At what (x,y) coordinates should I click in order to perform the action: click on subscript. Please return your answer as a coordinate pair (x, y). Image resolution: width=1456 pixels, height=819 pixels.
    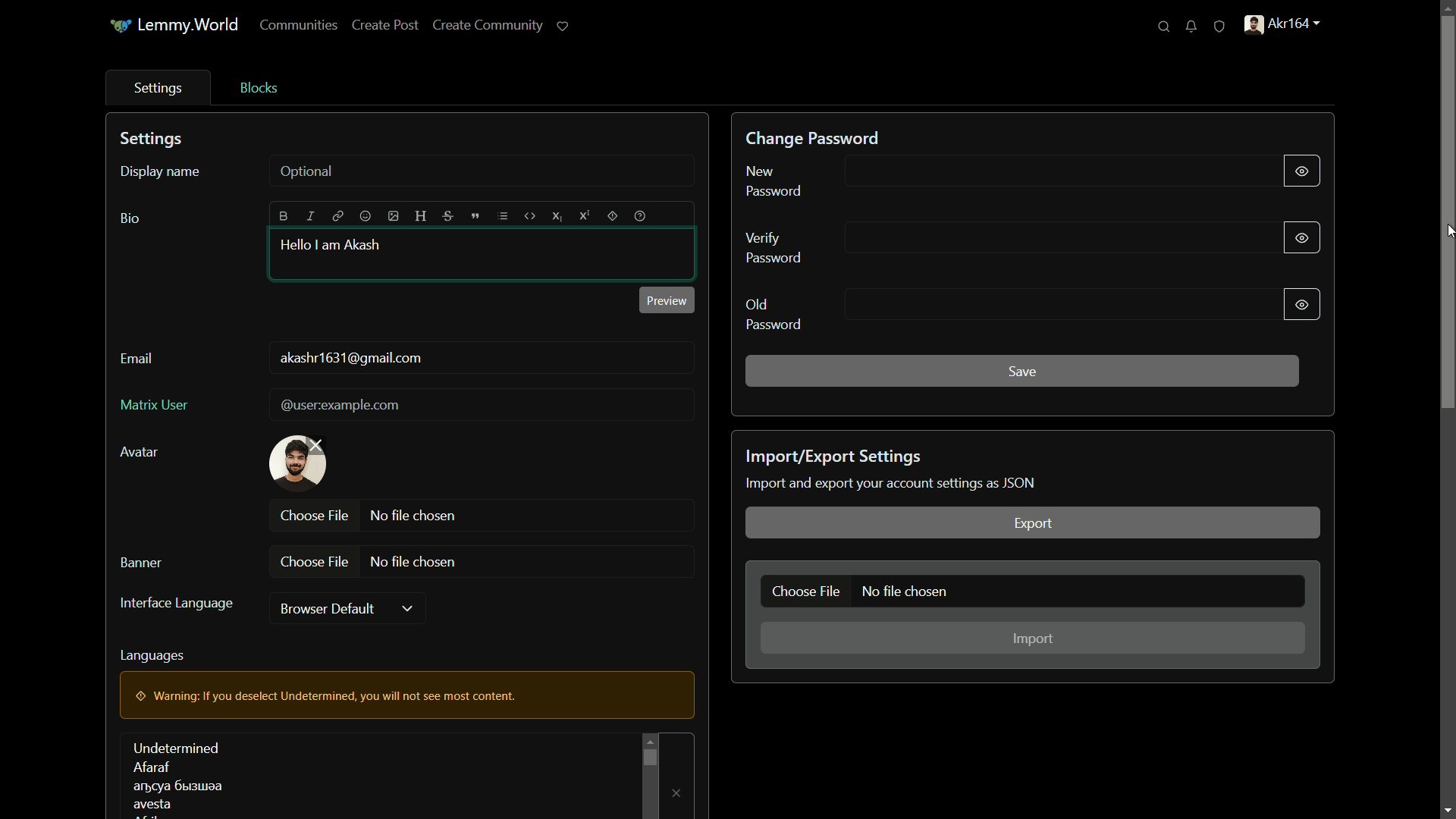
    Looking at the image, I should click on (557, 217).